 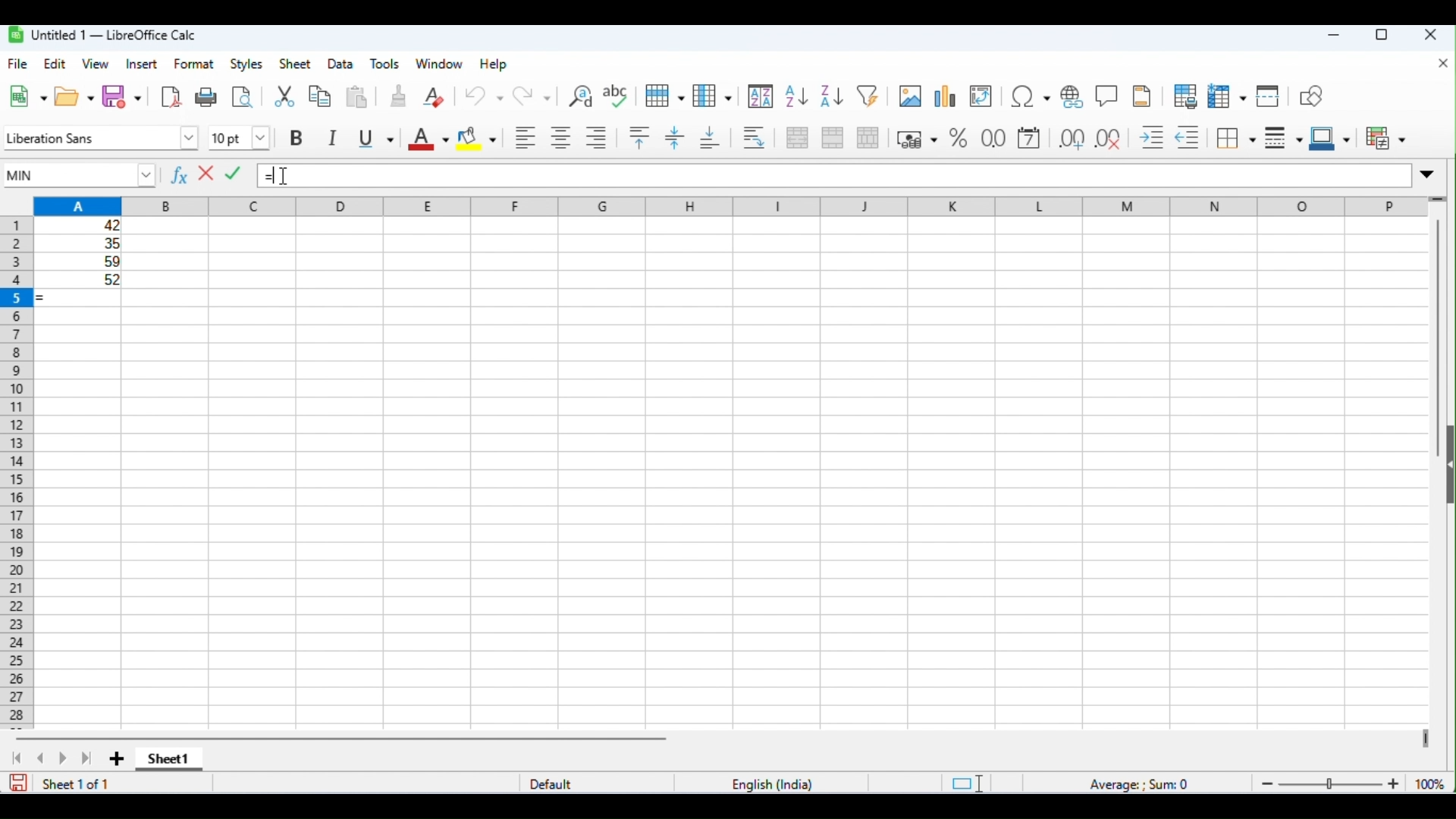 What do you see at coordinates (1280, 140) in the screenshot?
I see `border style` at bounding box center [1280, 140].